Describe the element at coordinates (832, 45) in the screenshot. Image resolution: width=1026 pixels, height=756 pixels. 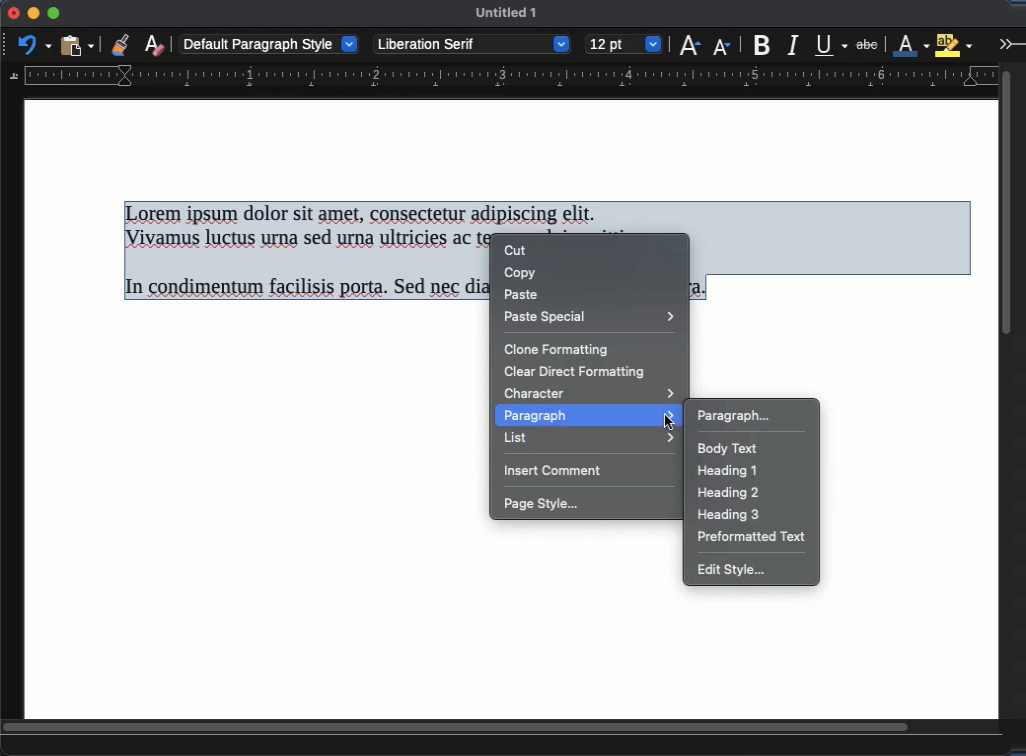
I see `underline ` at that location.